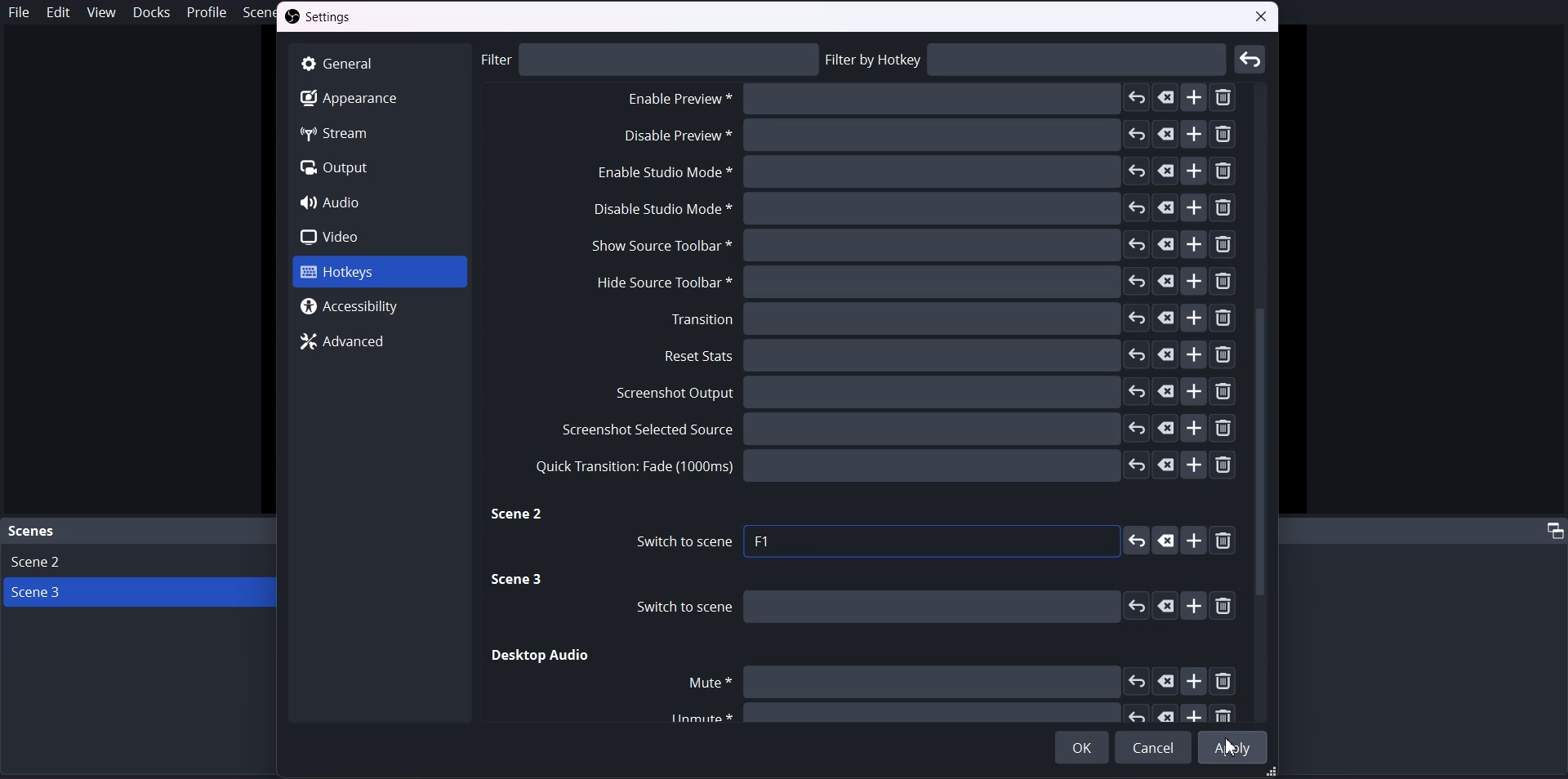 The width and height of the screenshot is (1568, 779). Describe the element at coordinates (907, 282) in the screenshot. I see `Hide source toolbar` at that location.